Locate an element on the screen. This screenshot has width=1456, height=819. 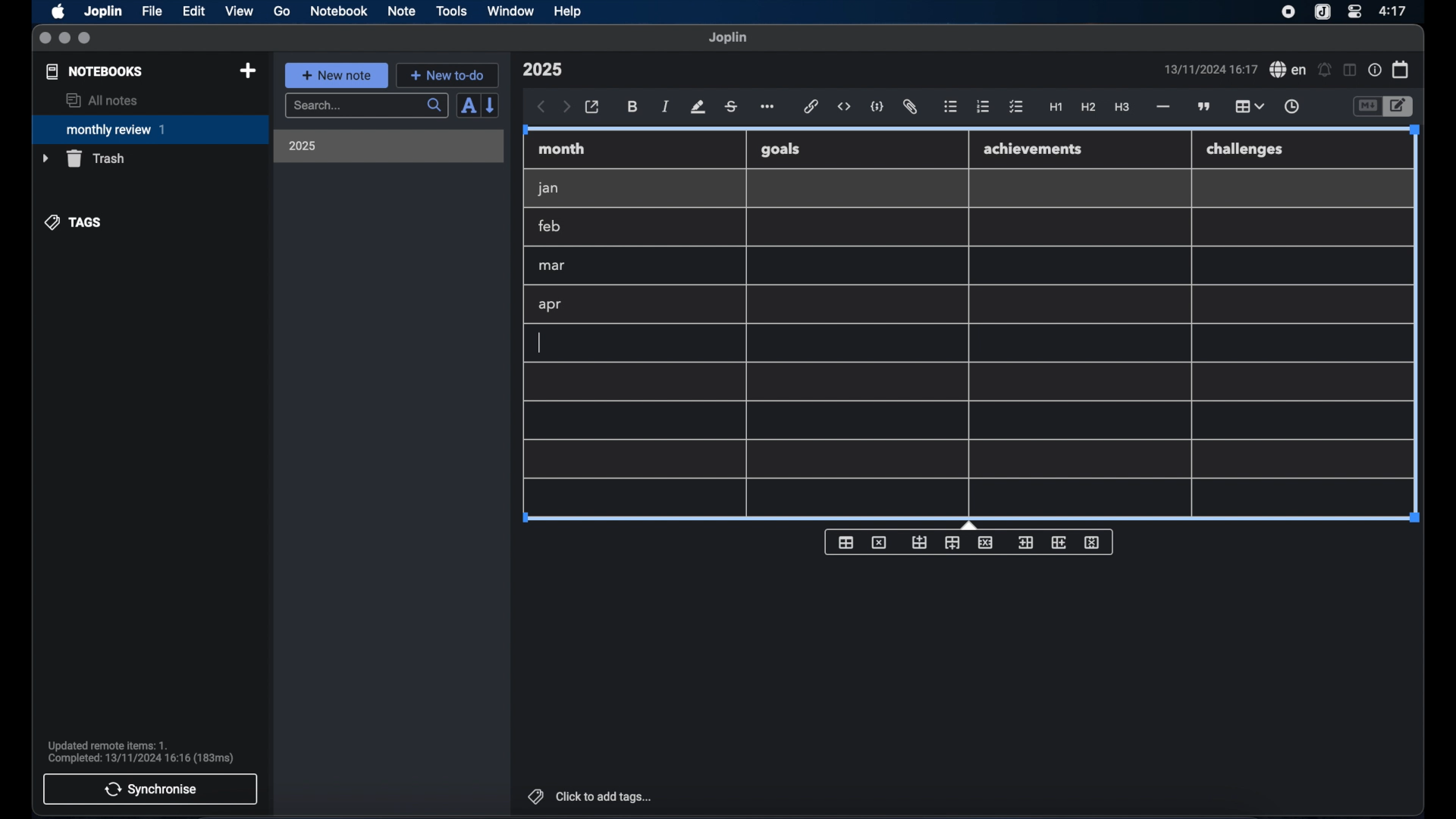
new to-do is located at coordinates (448, 75).